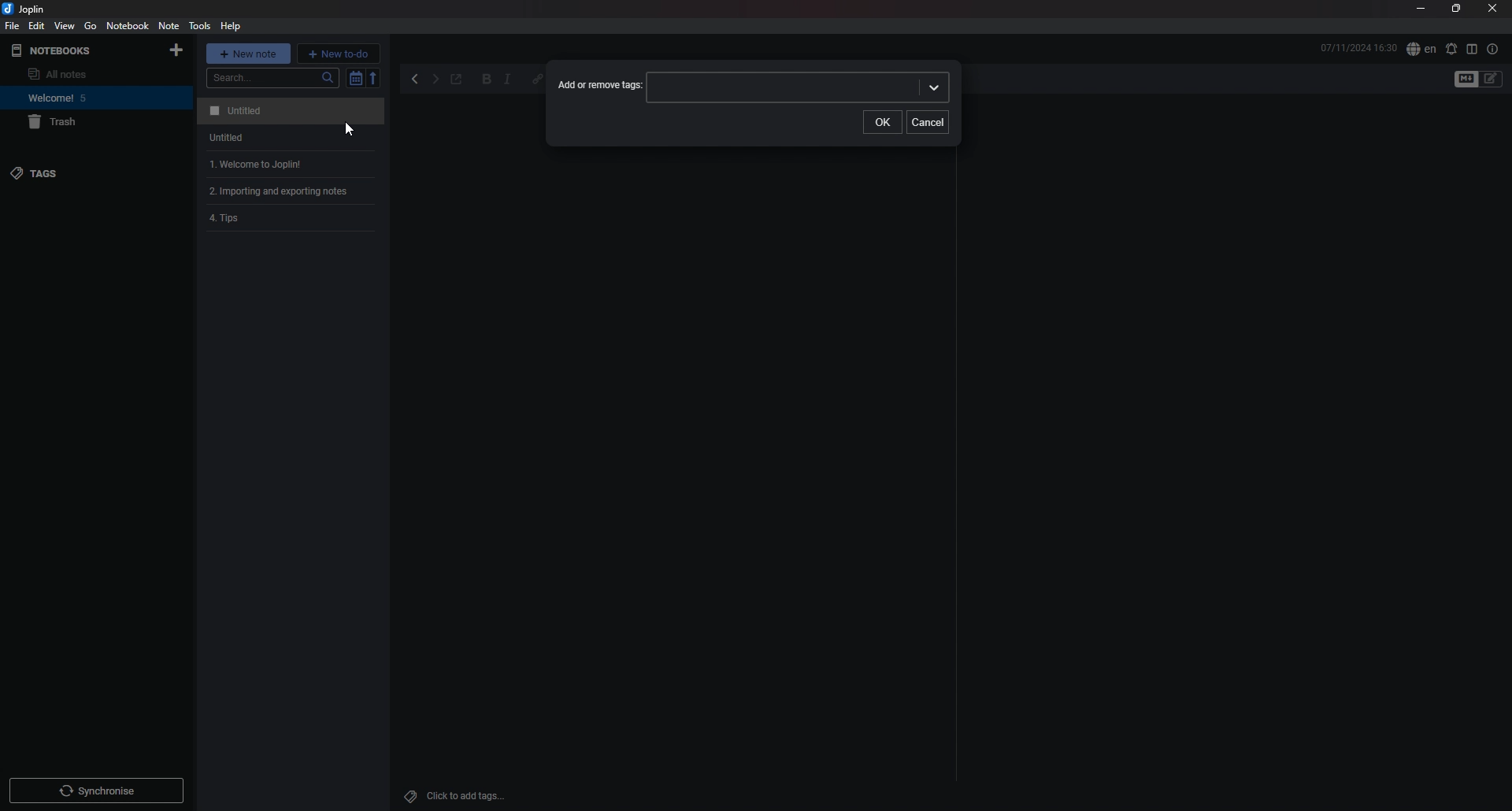 The image size is (1512, 811). What do you see at coordinates (1421, 10) in the screenshot?
I see `minimize` at bounding box center [1421, 10].